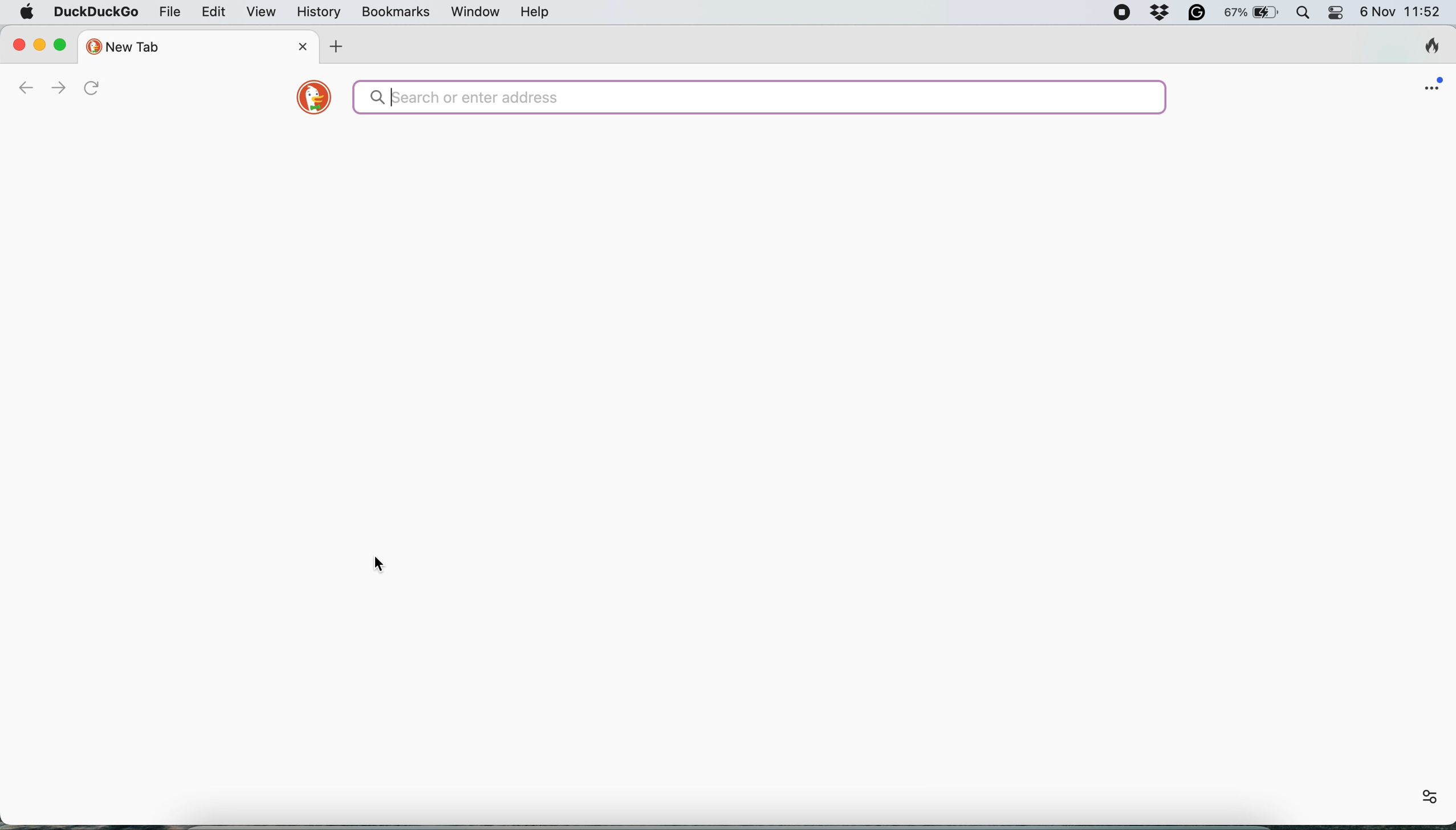 The image size is (1456, 830). Describe the element at coordinates (1198, 14) in the screenshot. I see `grammarly` at that location.